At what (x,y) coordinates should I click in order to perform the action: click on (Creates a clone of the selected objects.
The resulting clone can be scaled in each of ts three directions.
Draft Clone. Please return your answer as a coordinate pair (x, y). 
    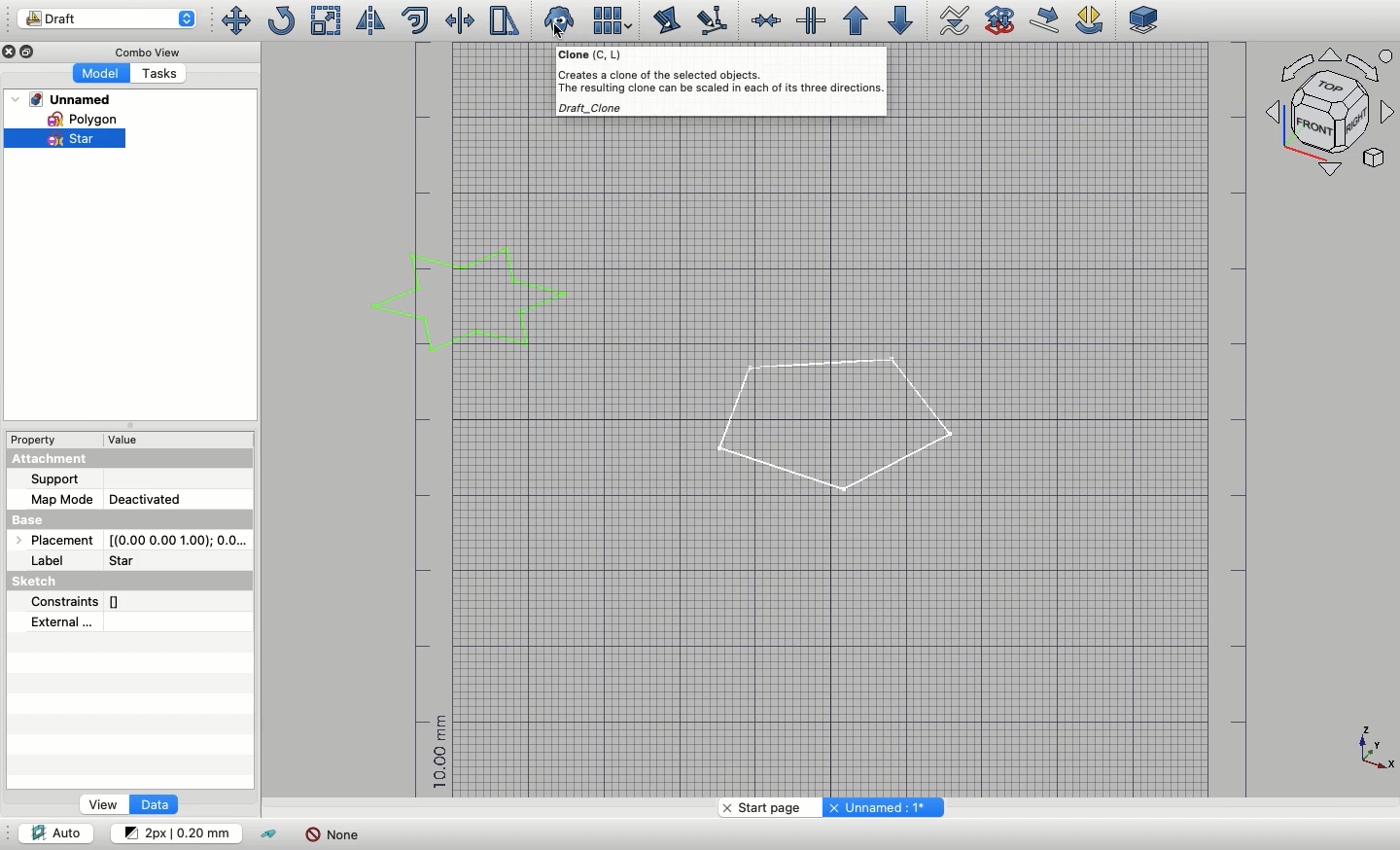
    Looking at the image, I should click on (717, 82).